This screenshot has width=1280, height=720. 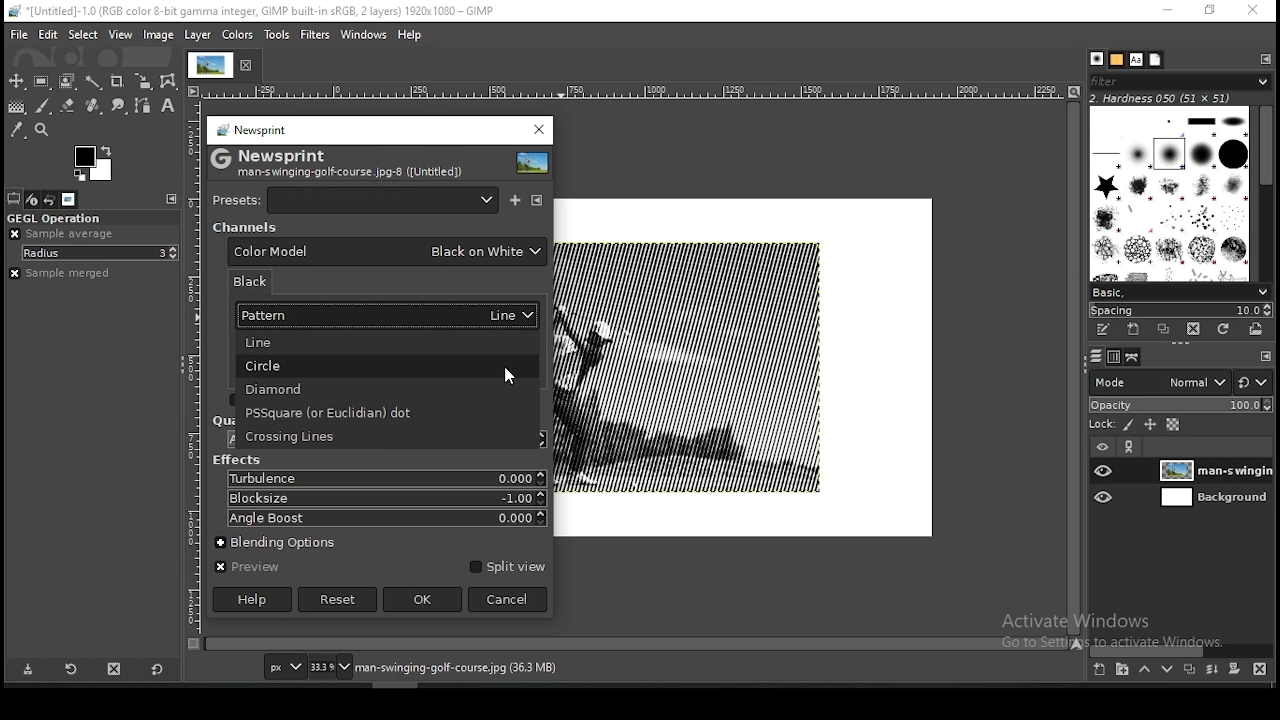 I want to click on help, so click(x=409, y=36).